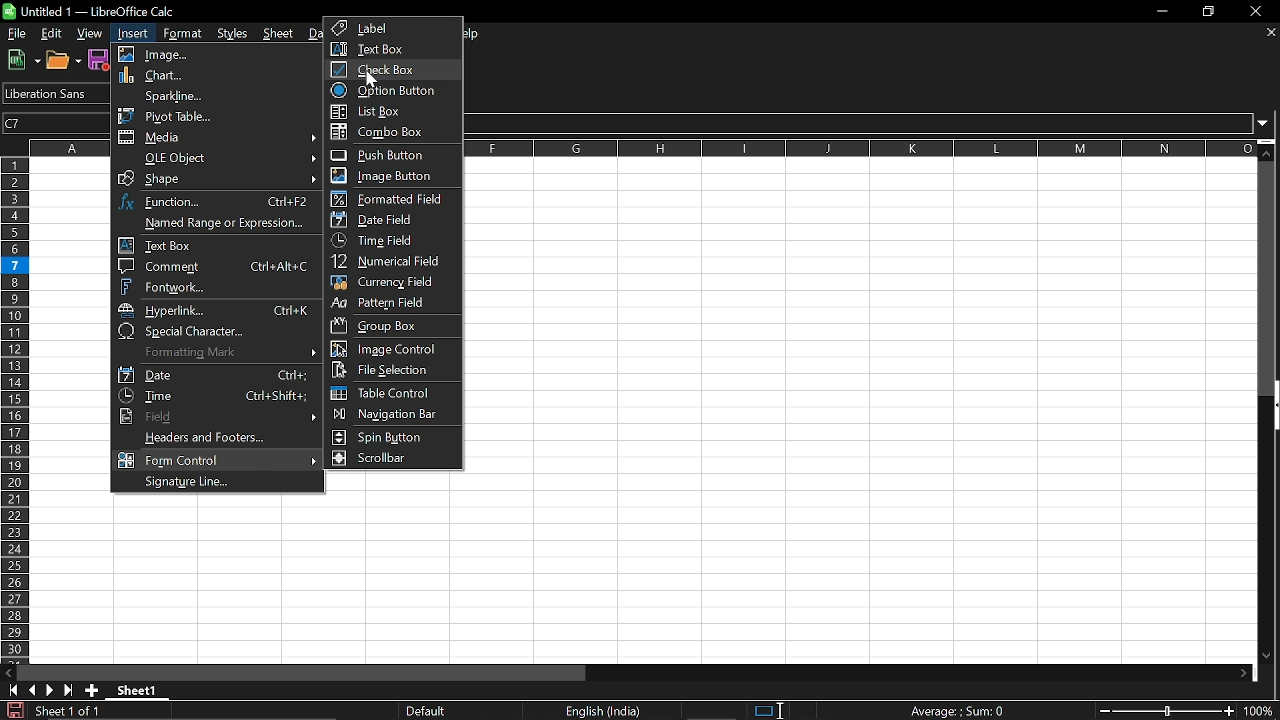 The image size is (1280, 720). I want to click on Last sheet, so click(69, 690).